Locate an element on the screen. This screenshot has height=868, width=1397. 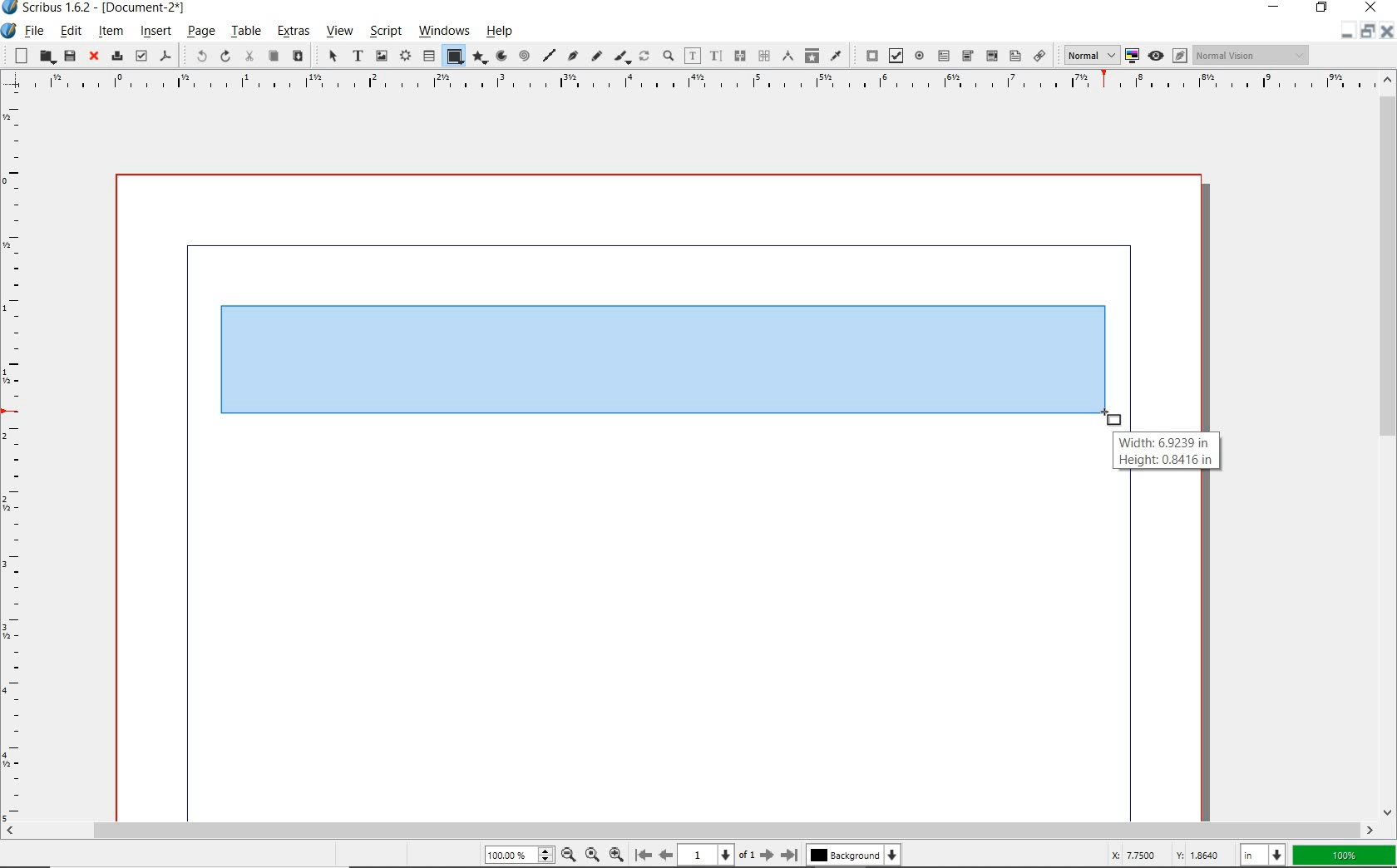
coordinates is located at coordinates (1164, 856).